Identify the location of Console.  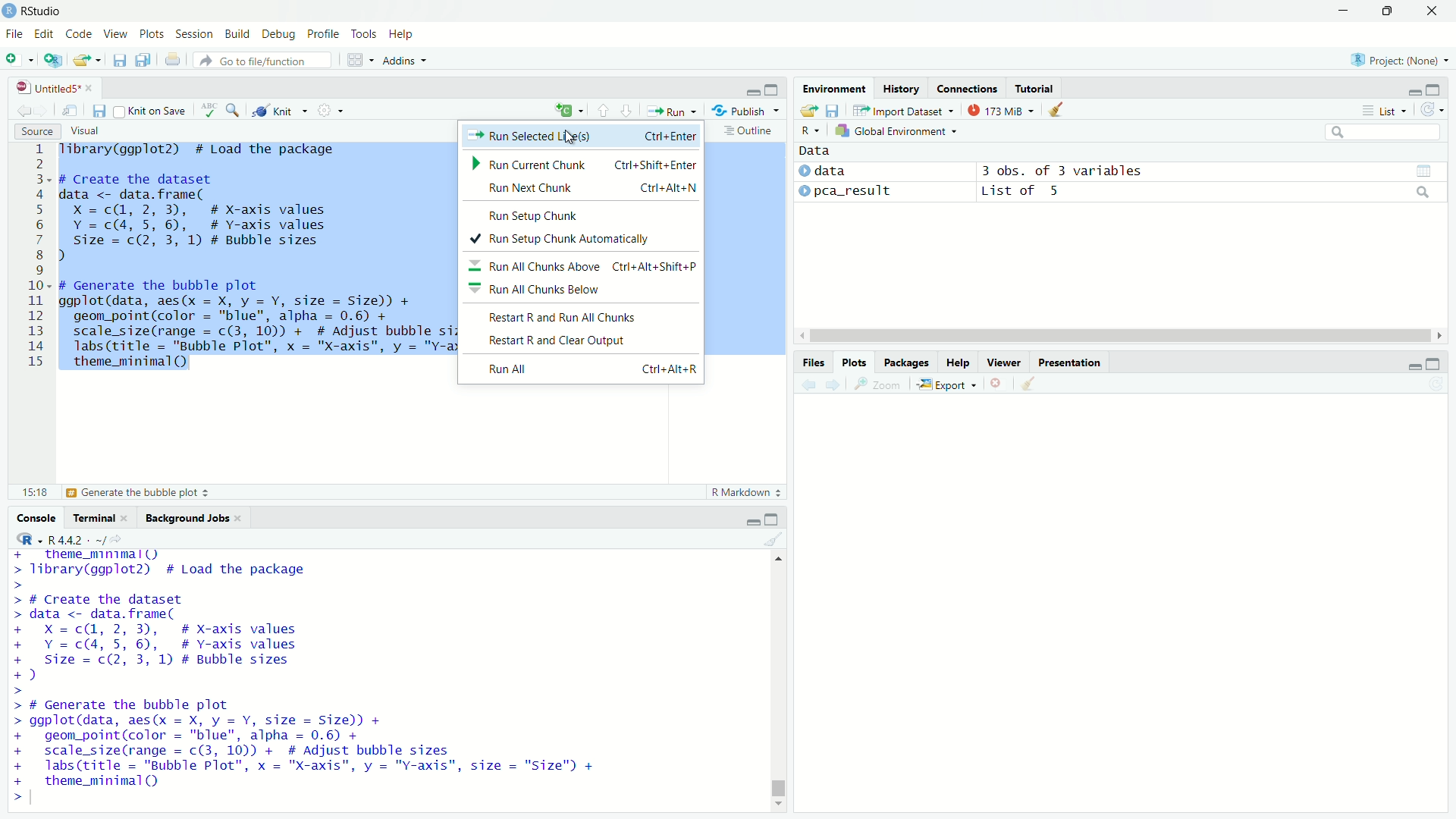
(38, 517).